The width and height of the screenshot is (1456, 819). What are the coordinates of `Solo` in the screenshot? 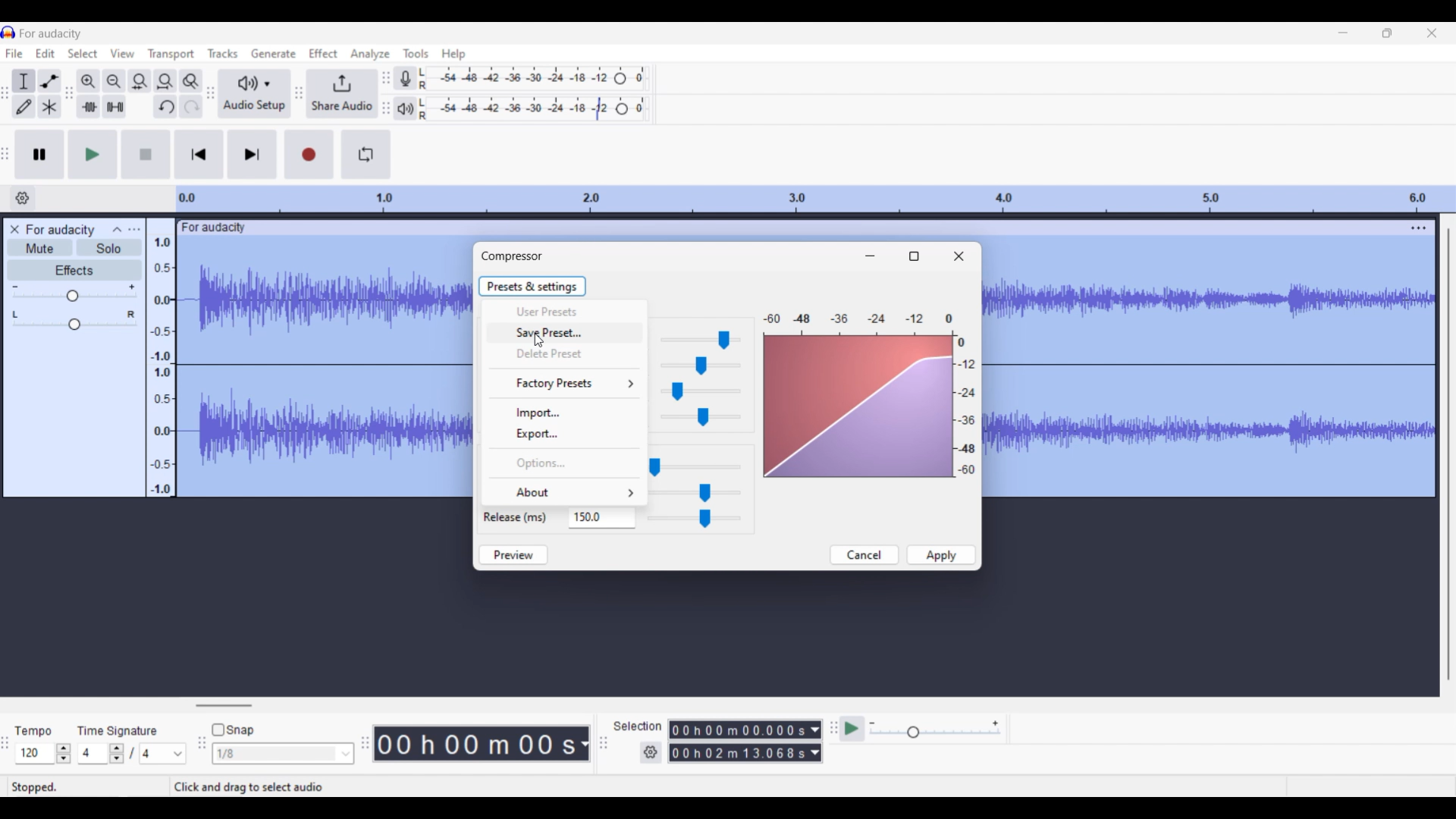 It's located at (109, 248).